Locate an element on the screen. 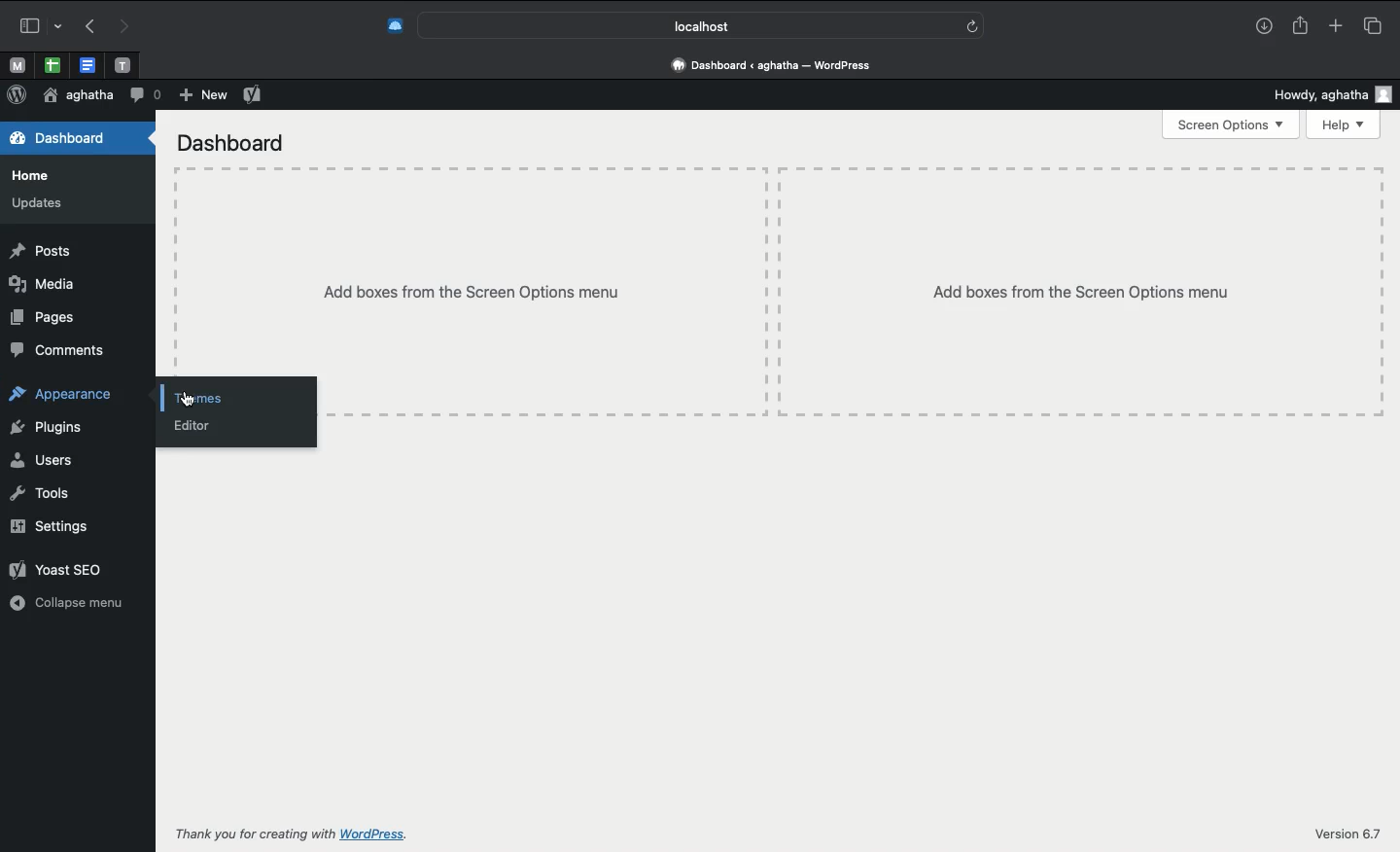 Image resolution: width=1400 pixels, height=852 pixels. Tools is located at coordinates (40, 494).